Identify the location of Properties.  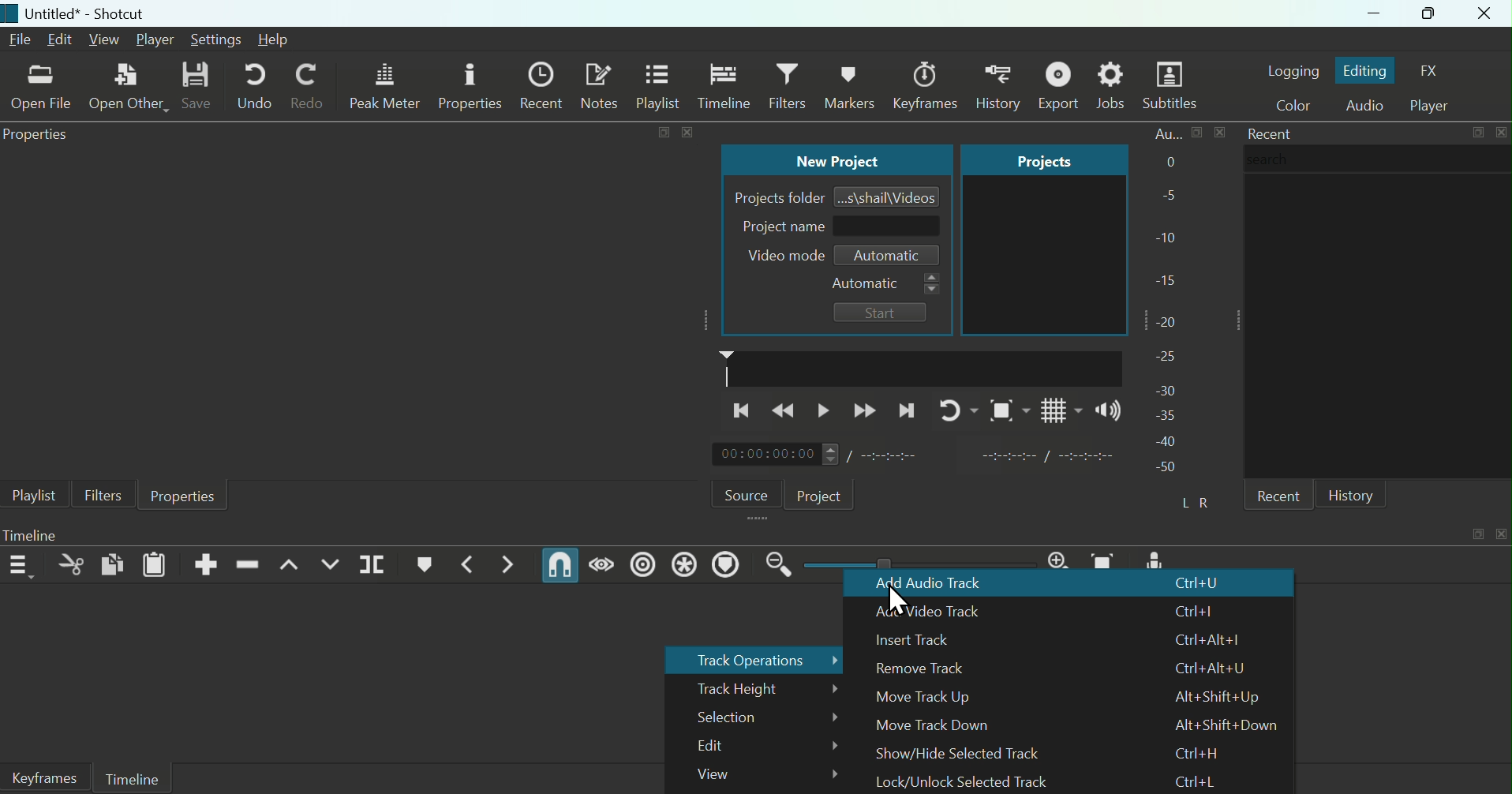
(472, 87).